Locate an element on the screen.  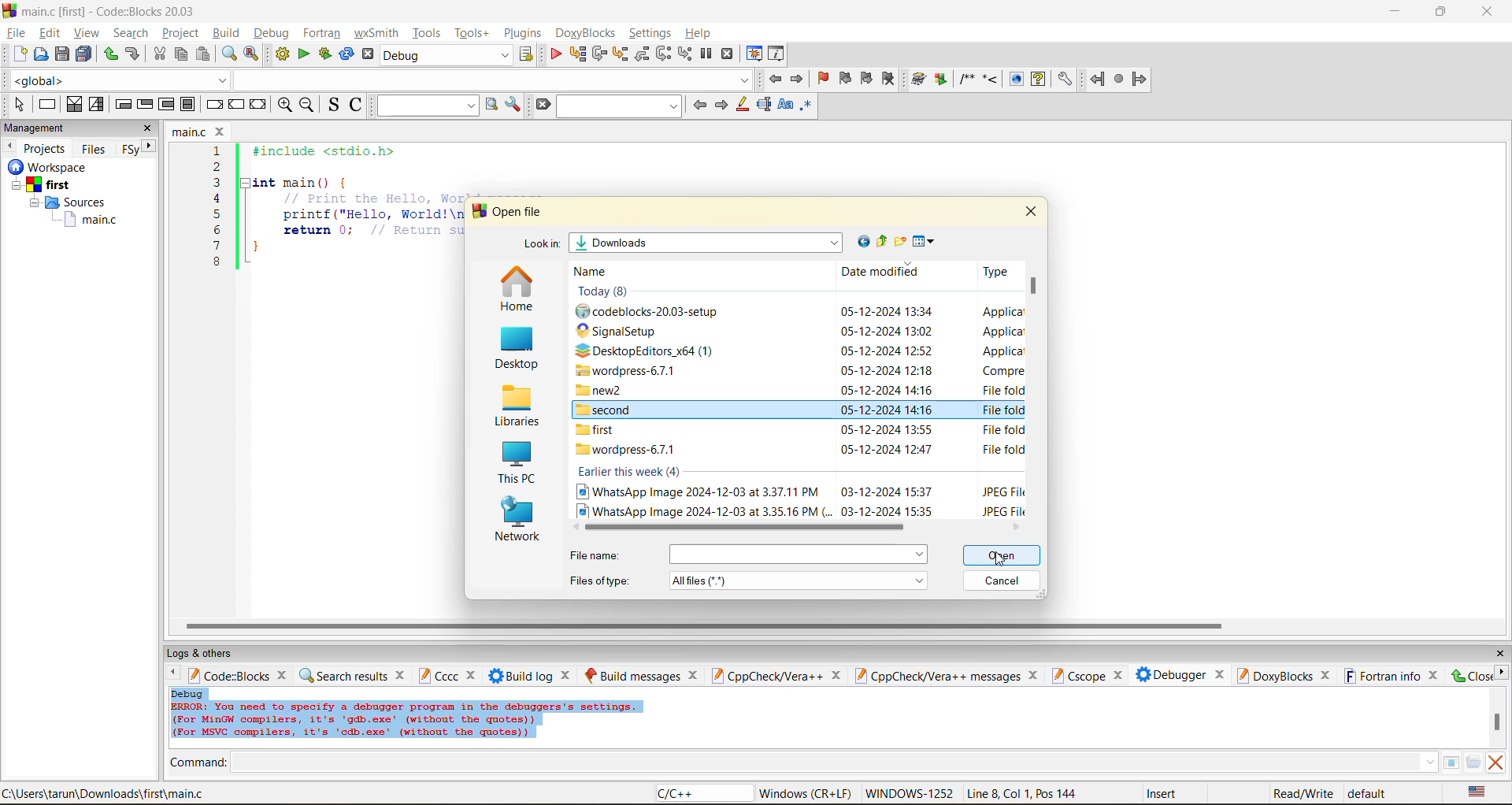
tables is located at coordinates (1451, 762).